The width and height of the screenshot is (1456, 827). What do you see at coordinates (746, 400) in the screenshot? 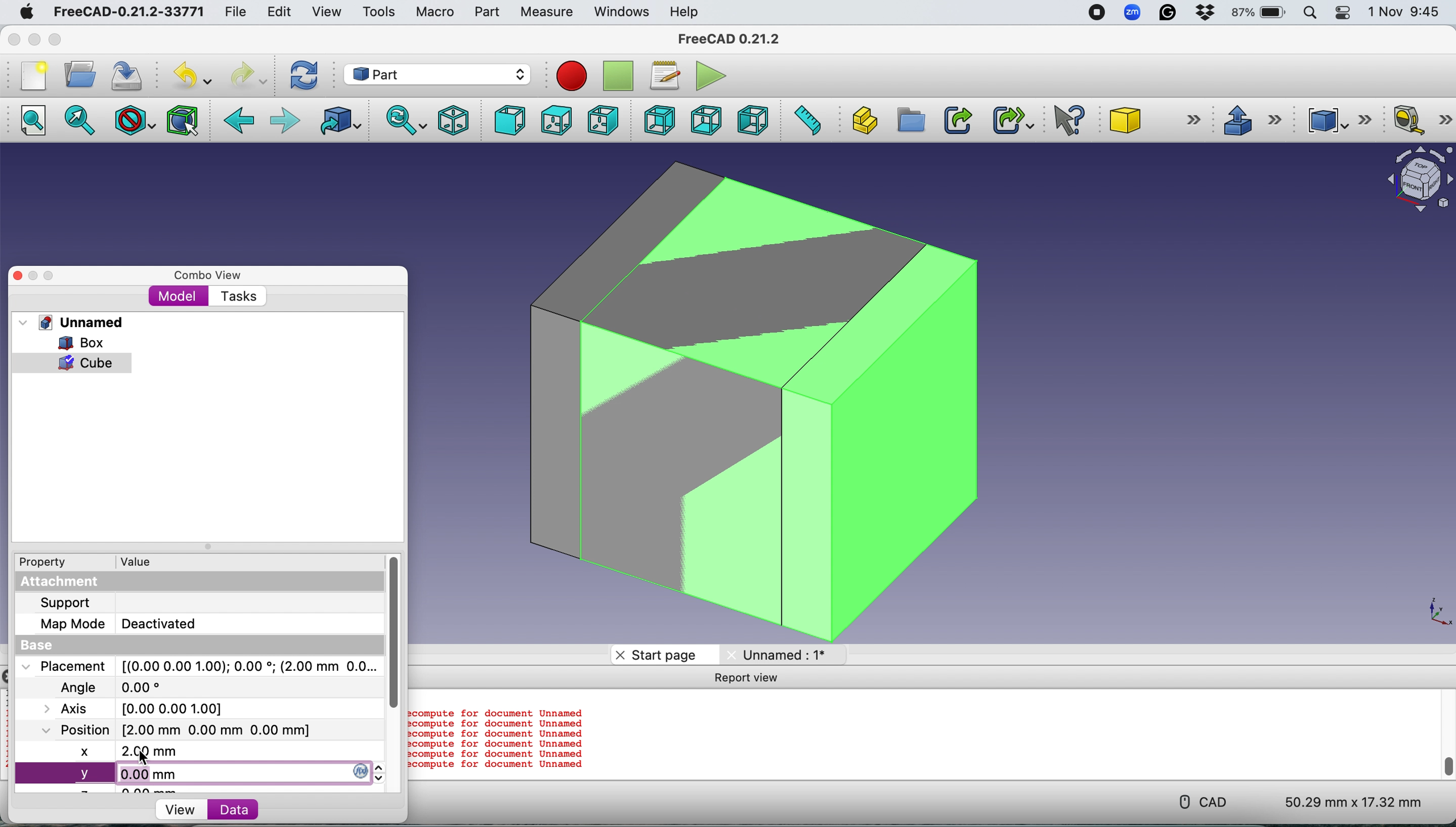
I see `Box` at bounding box center [746, 400].